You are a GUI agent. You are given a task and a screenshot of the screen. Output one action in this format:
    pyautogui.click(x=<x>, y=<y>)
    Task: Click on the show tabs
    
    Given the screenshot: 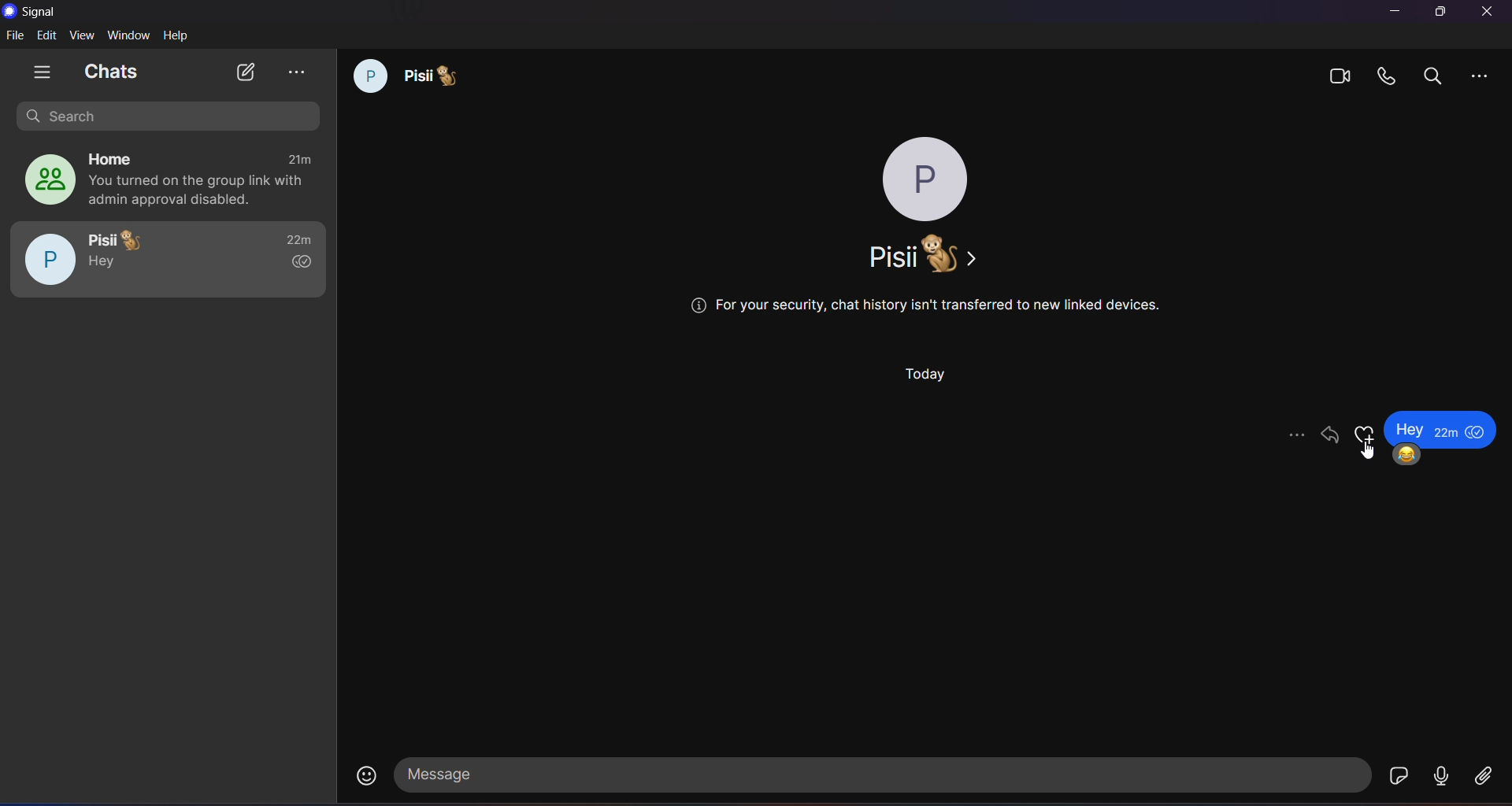 What is the action you would take?
    pyautogui.click(x=43, y=74)
    